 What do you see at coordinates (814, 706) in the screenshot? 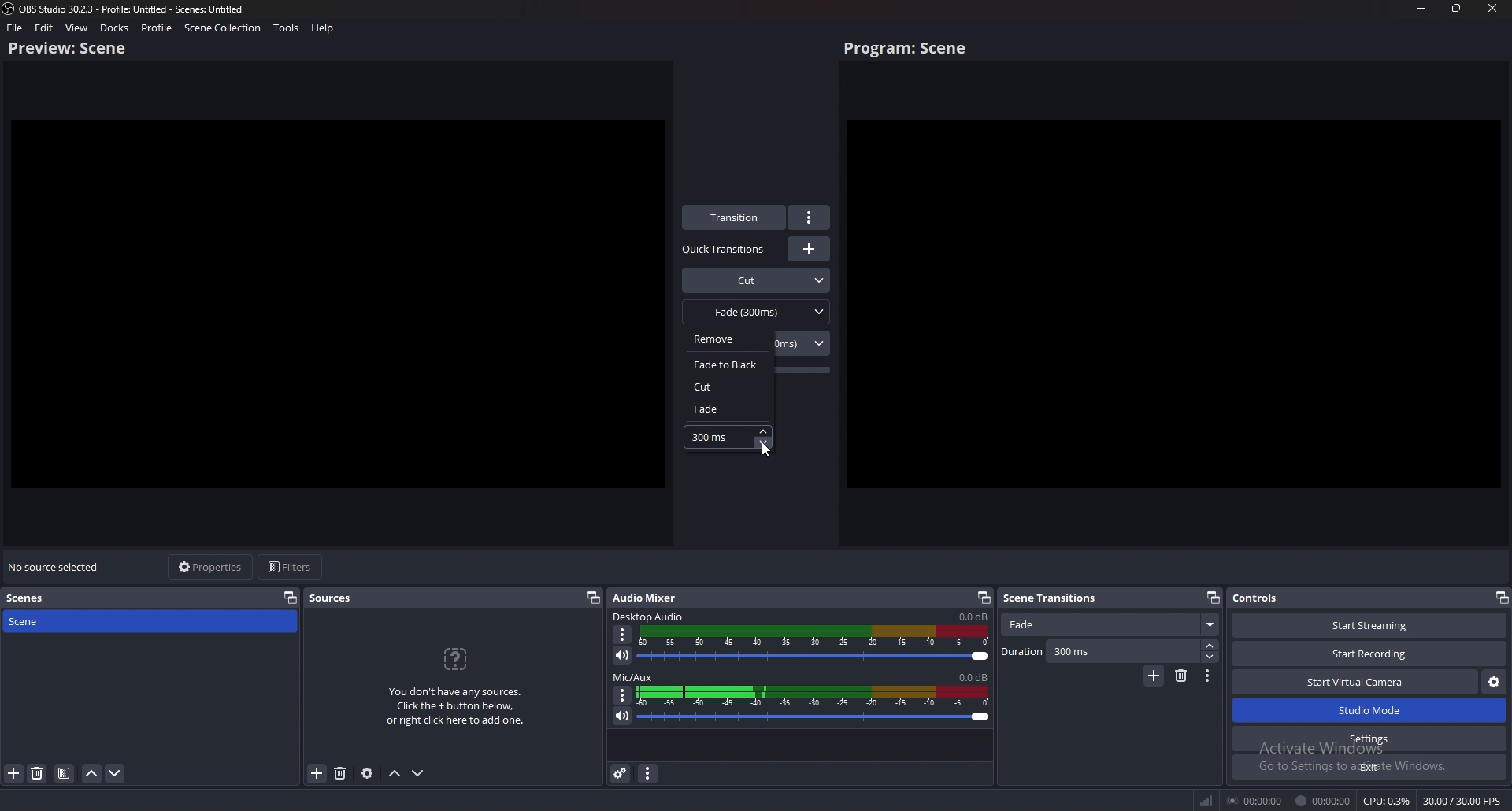
I see `mic/aux sound bar` at bounding box center [814, 706].